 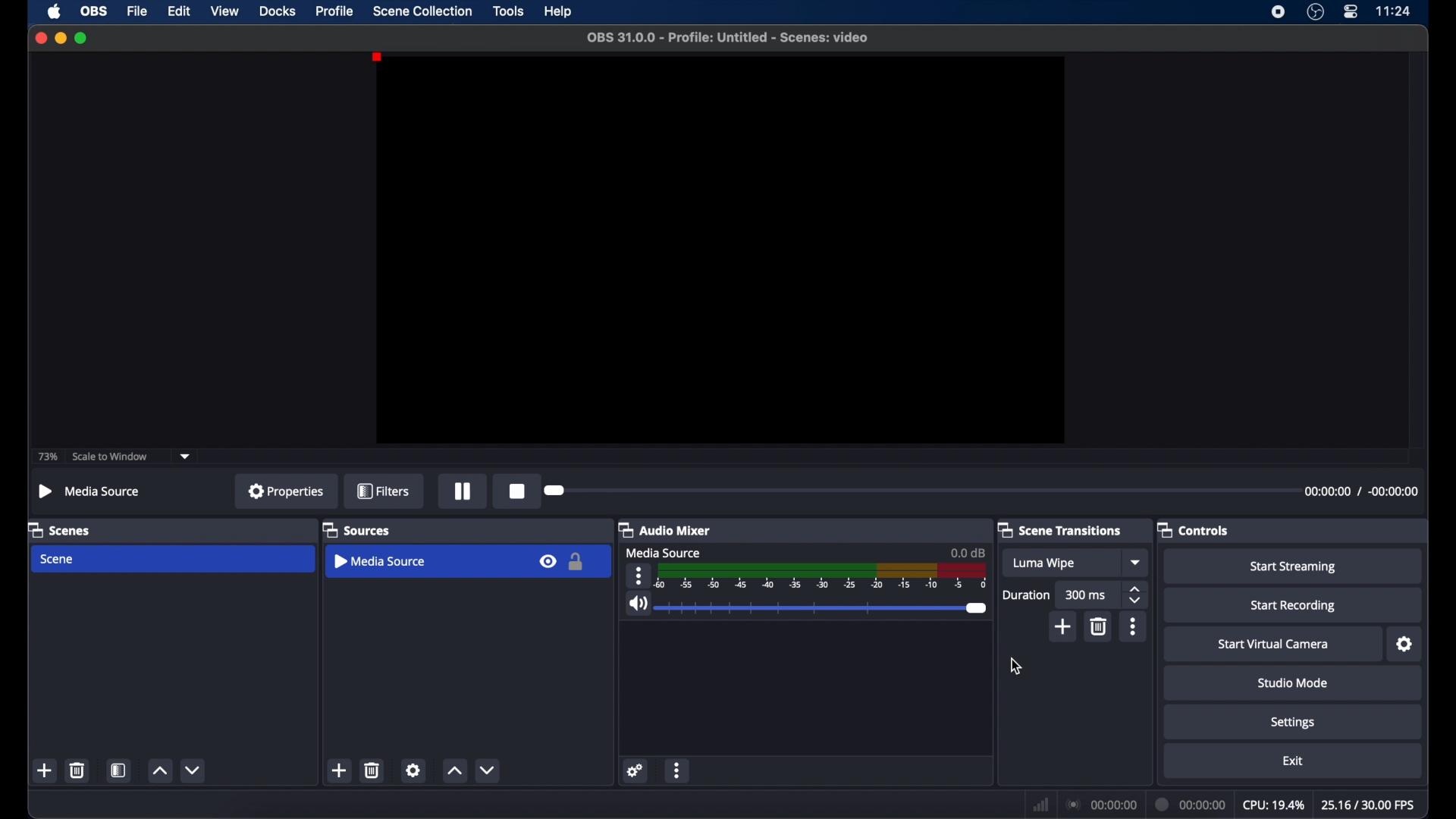 I want to click on slider, so click(x=556, y=490).